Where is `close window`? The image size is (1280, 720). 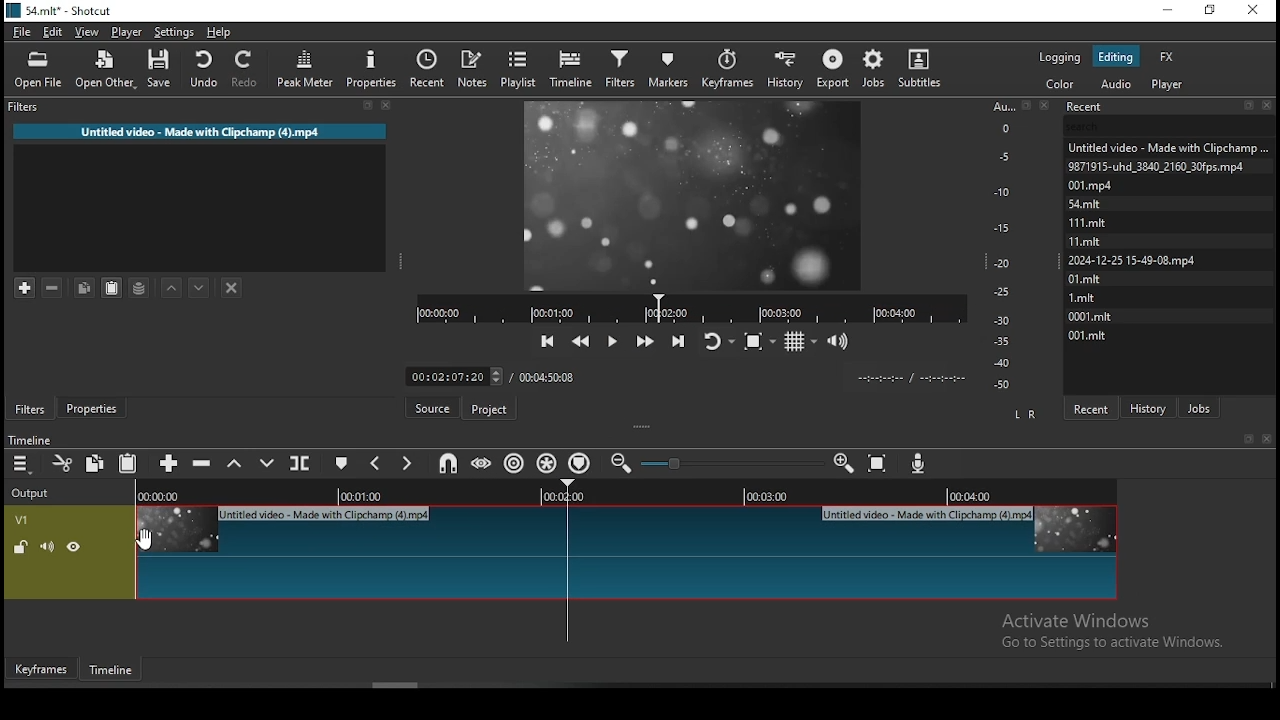
close window is located at coordinates (1253, 9).